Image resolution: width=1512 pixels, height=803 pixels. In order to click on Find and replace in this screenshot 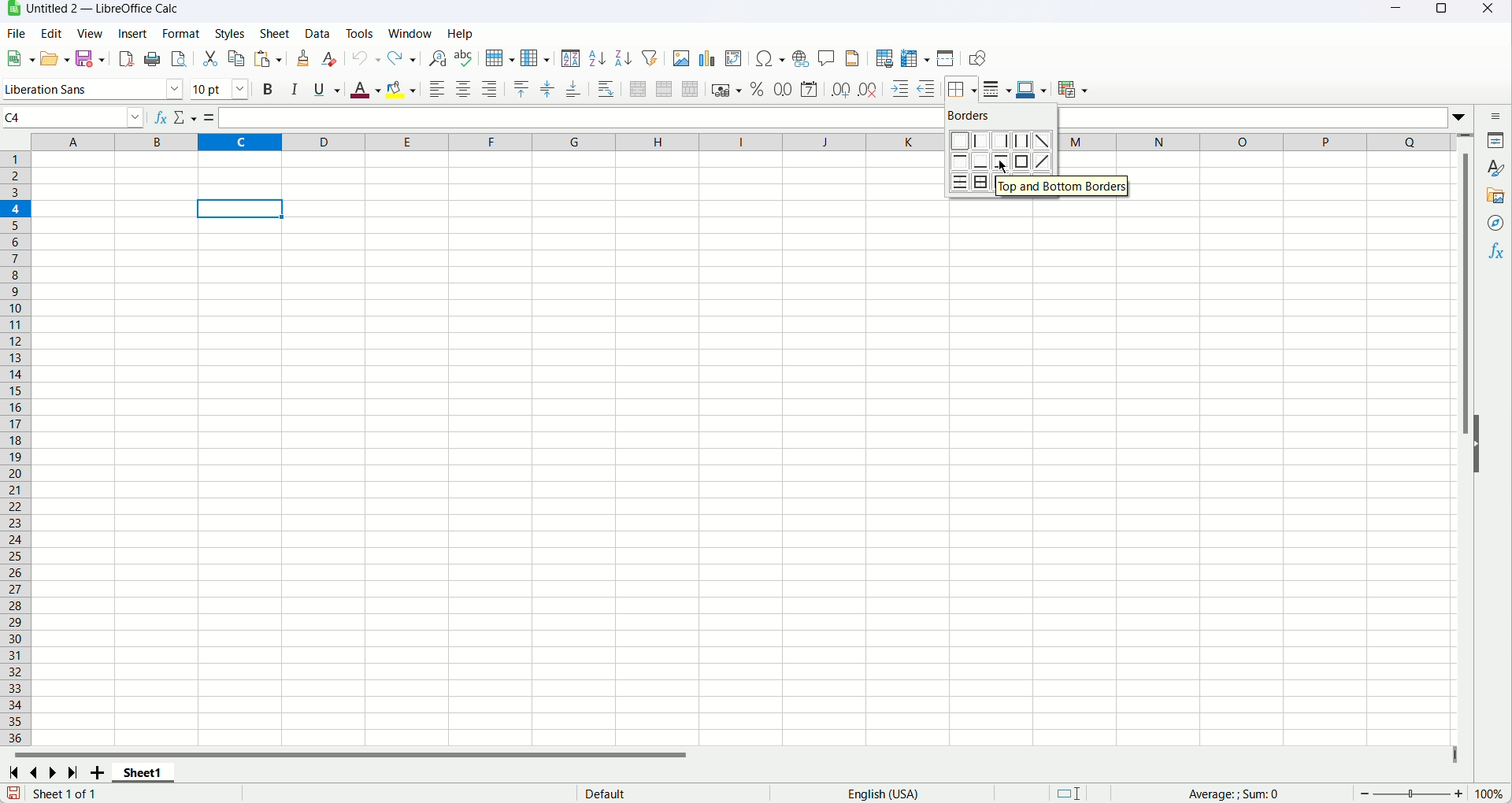, I will do `click(438, 59)`.